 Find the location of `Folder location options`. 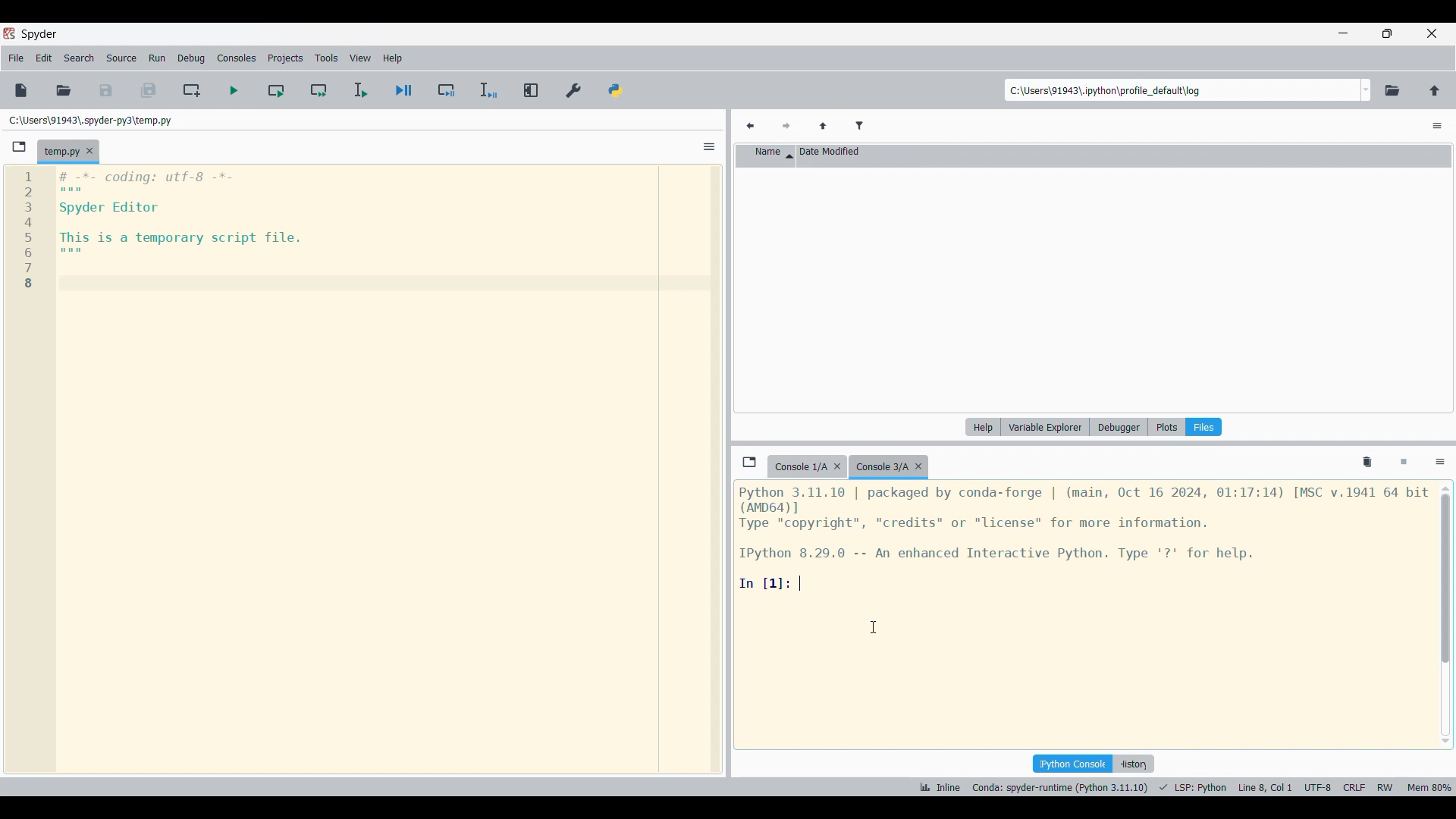

Folder location options is located at coordinates (1366, 90).